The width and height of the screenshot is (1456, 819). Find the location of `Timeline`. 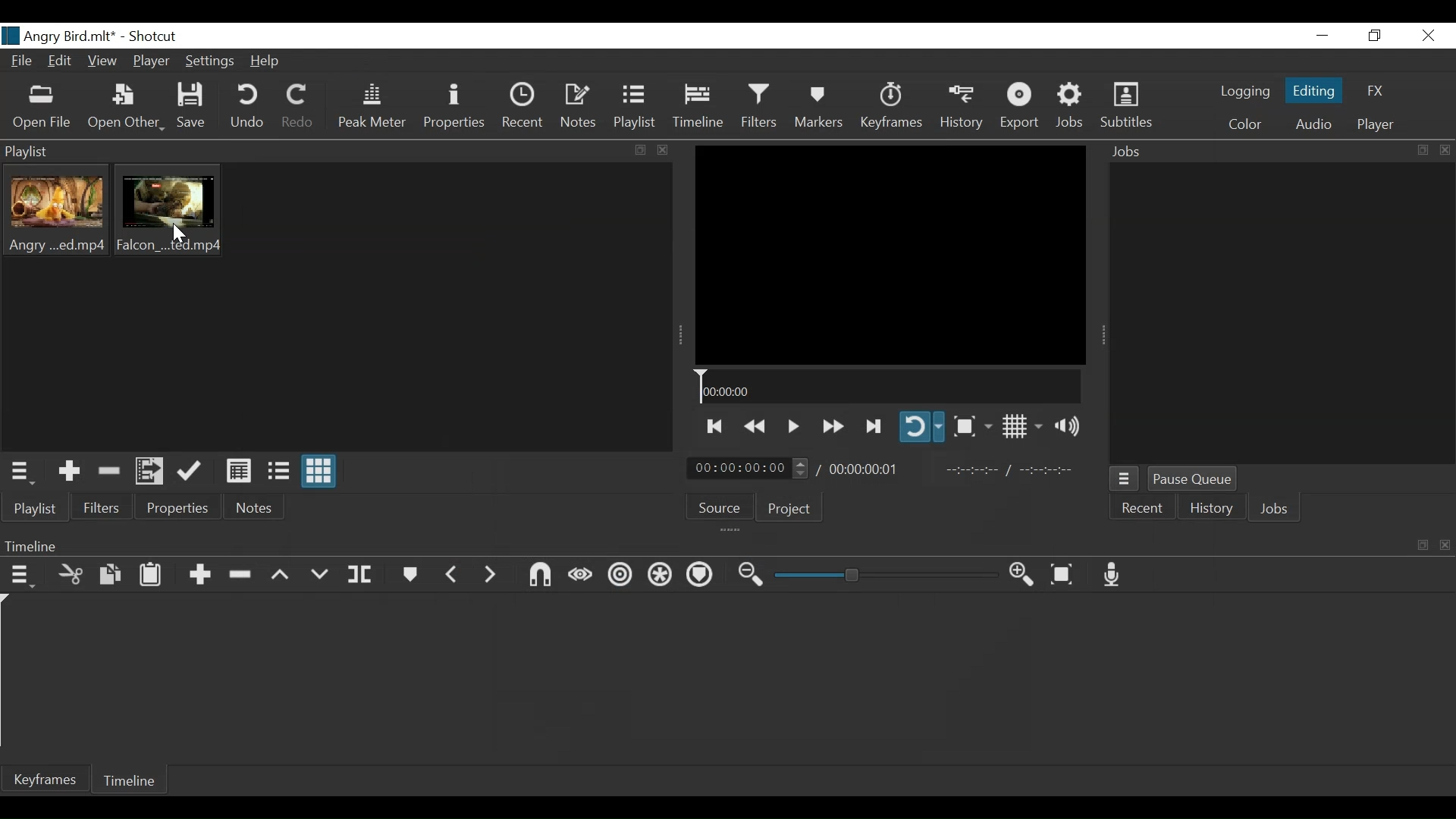

Timeline is located at coordinates (692, 545).